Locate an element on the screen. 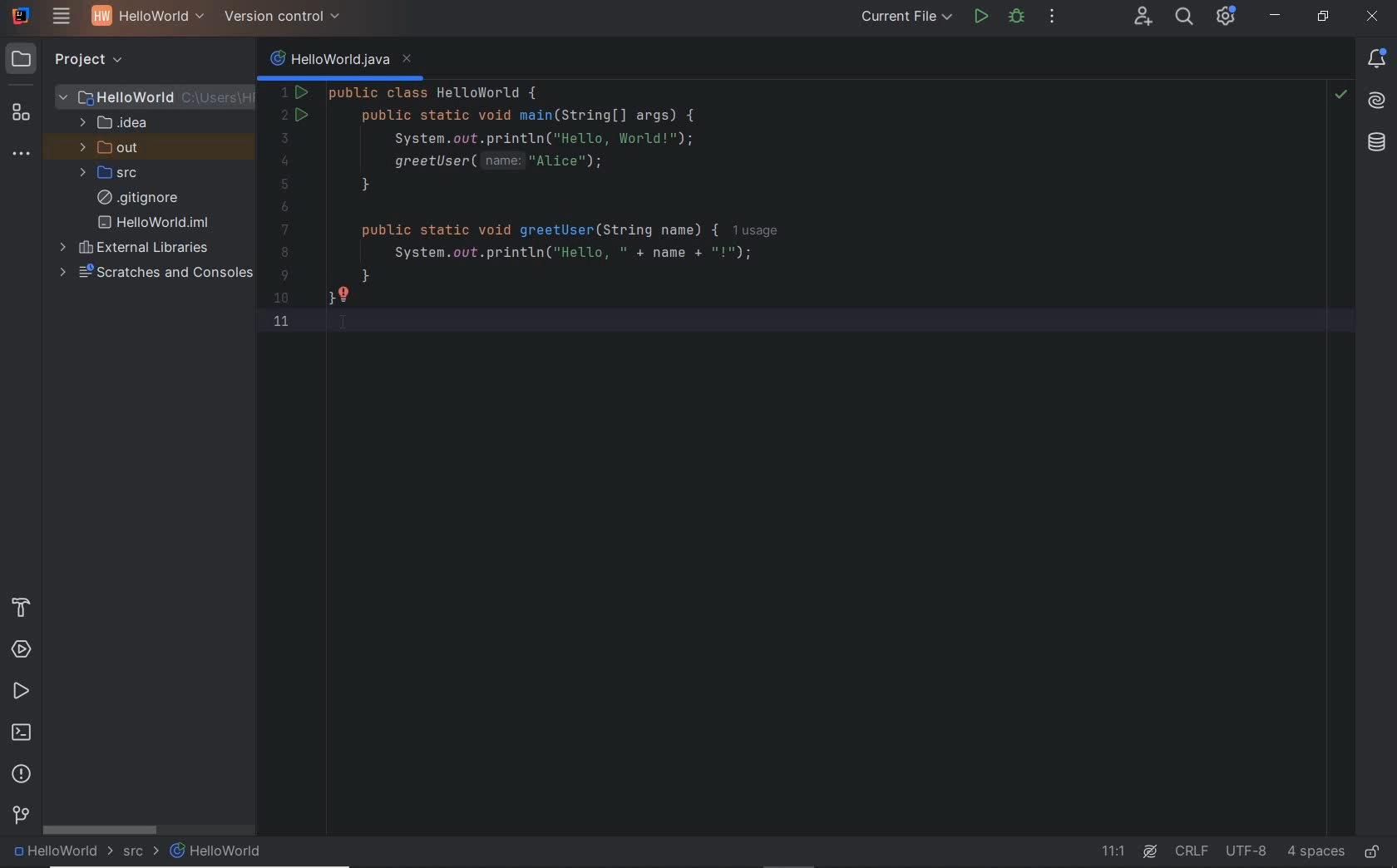  build is located at coordinates (25, 607).